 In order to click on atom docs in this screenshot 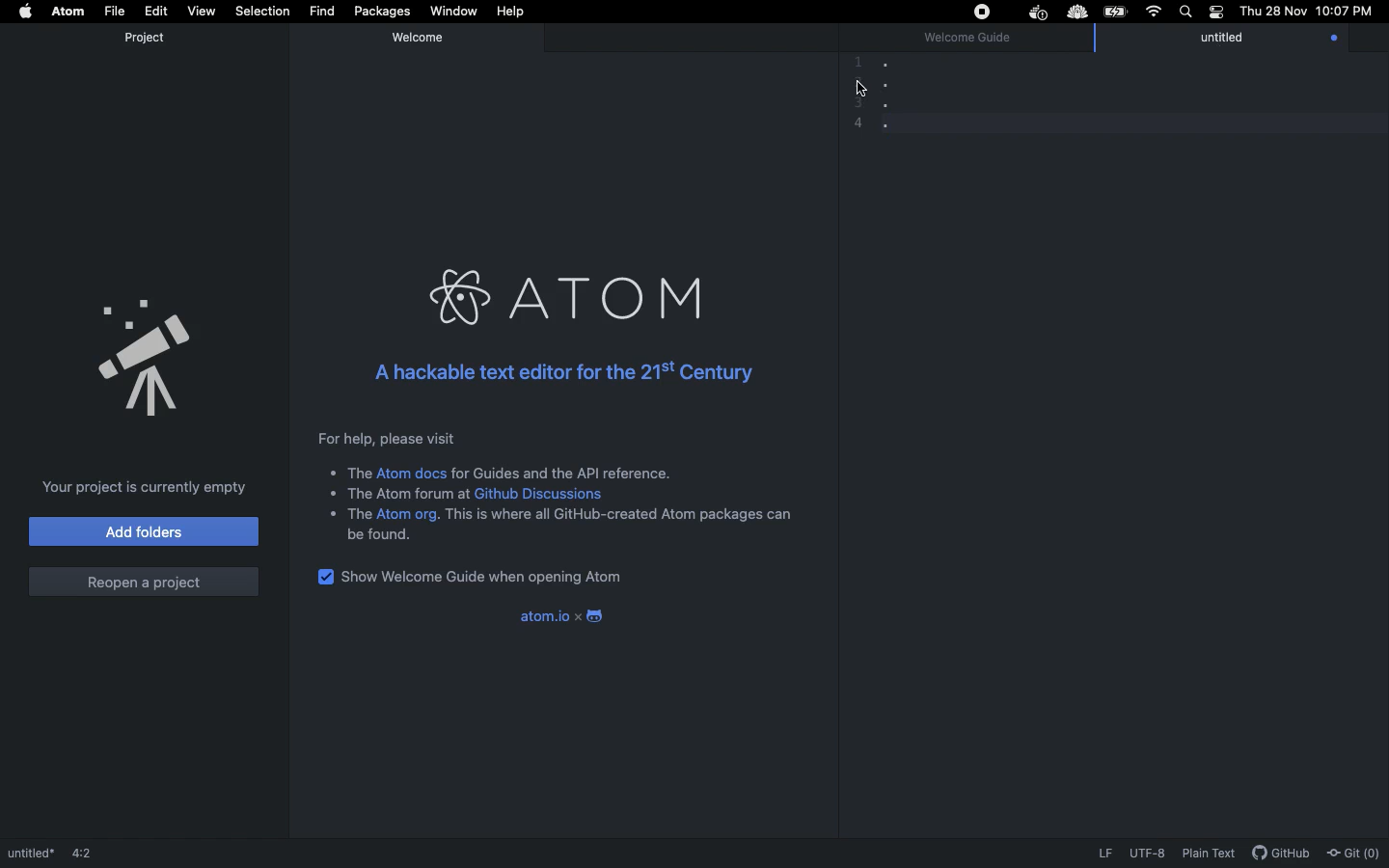, I will do `click(413, 473)`.